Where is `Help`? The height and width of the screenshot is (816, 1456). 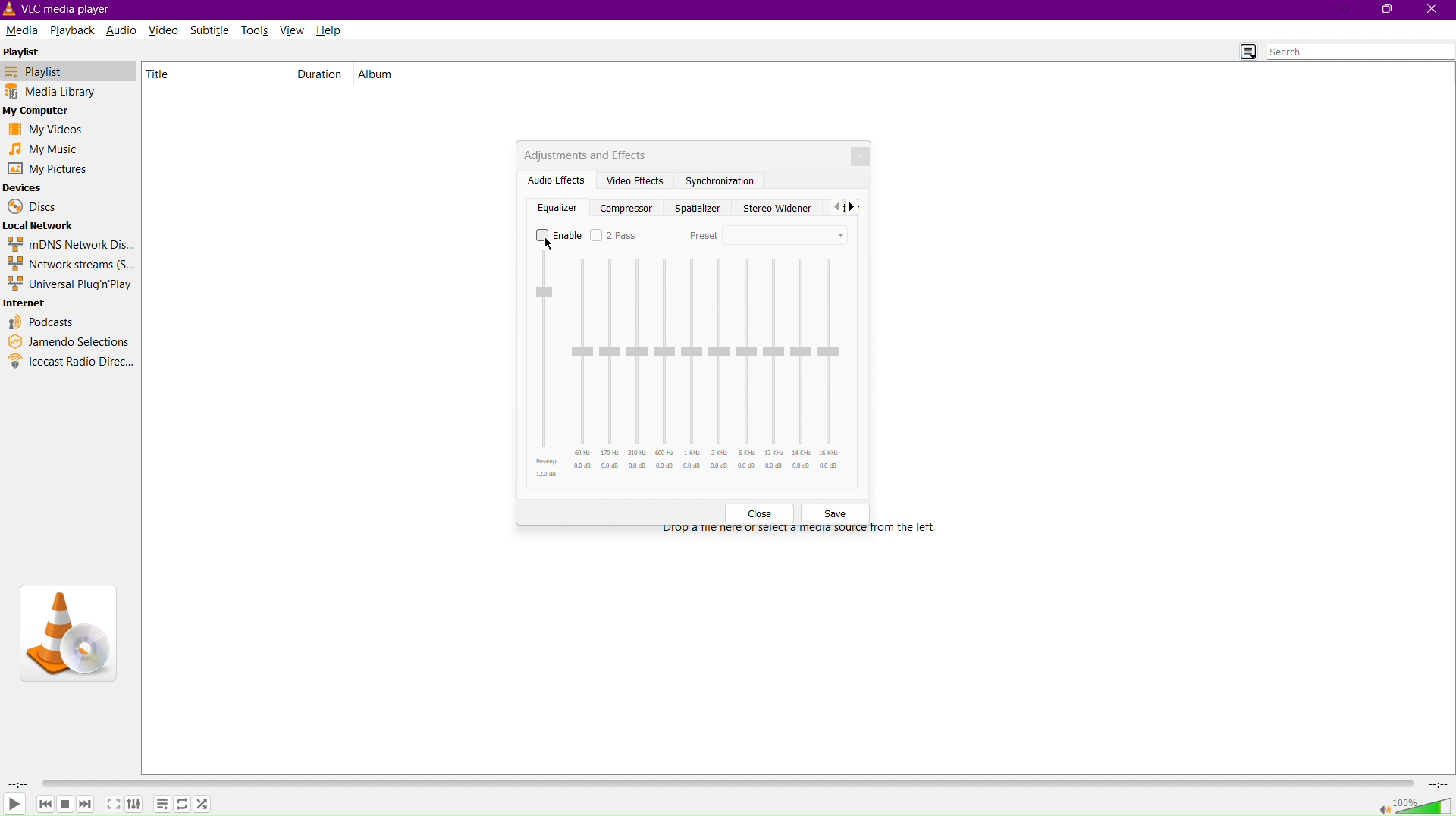 Help is located at coordinates (331, 29).